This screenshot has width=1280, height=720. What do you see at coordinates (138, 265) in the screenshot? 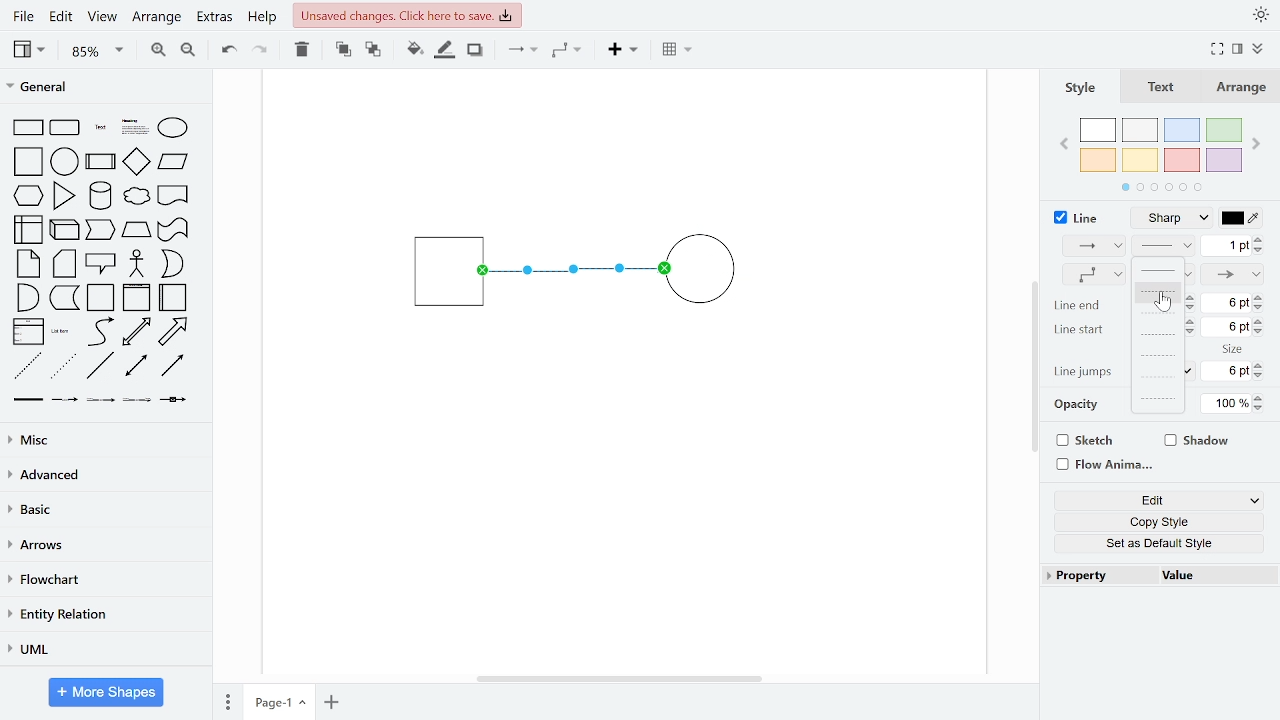
I see `actor` at bounding box center [138, 265].